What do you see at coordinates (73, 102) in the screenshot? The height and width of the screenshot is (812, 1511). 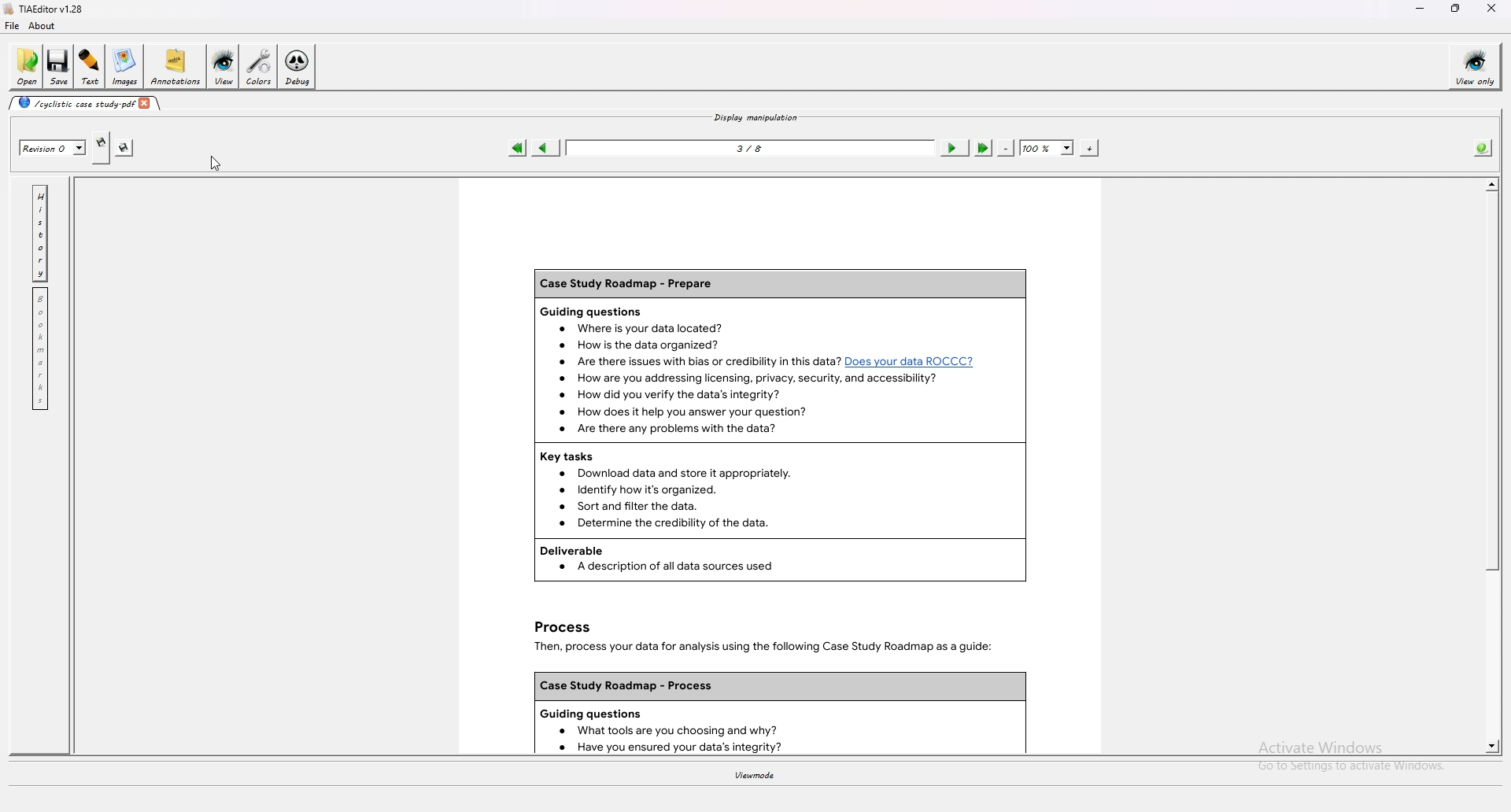 I see `cyclistic case study-pdf` at bounding box center [73, 102].